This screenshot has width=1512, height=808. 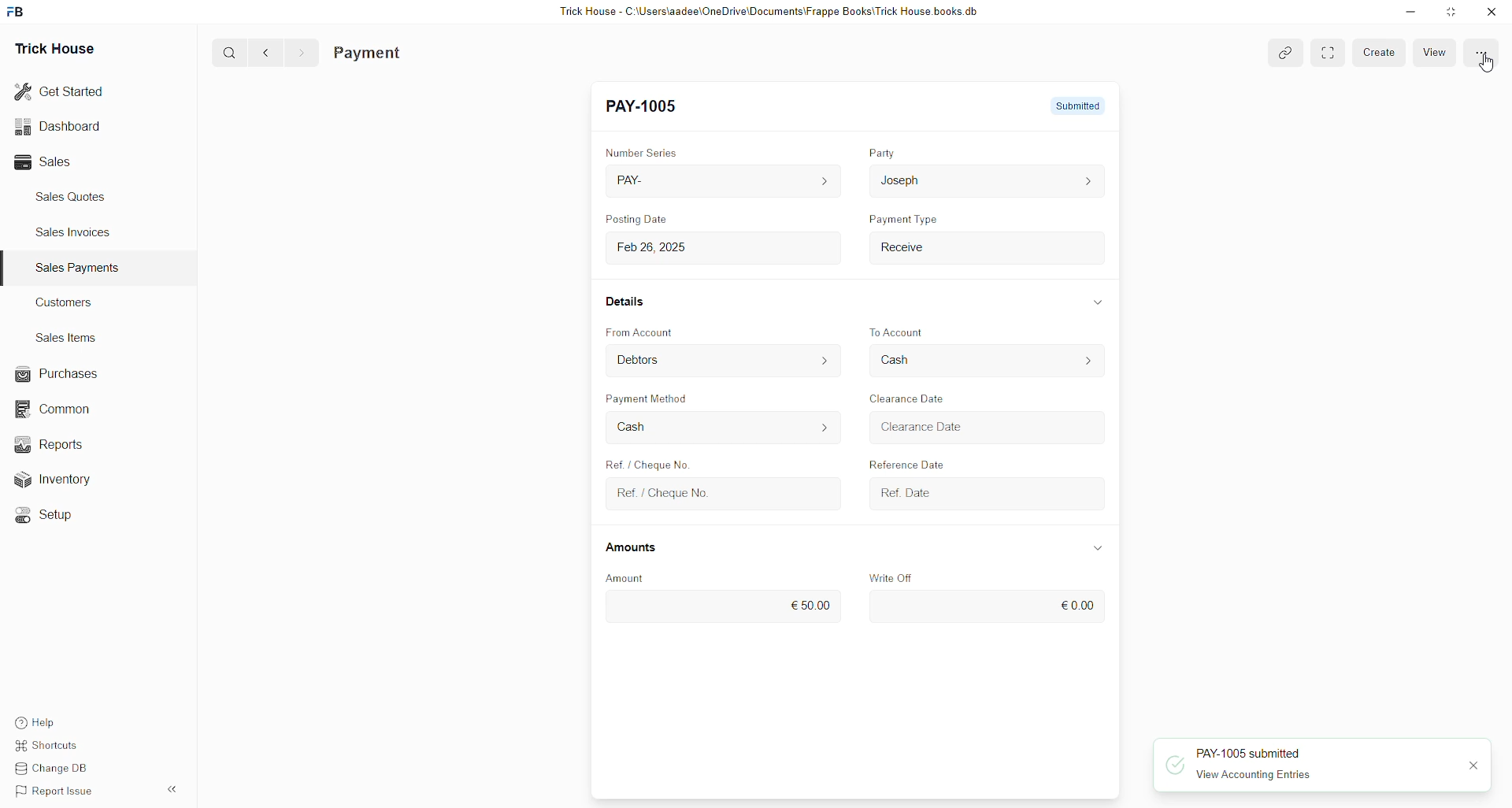 What do you see at coordinates (1089, 548) in the screenshot?
I see `Show/Hide` at bounding box center [1089, 548].